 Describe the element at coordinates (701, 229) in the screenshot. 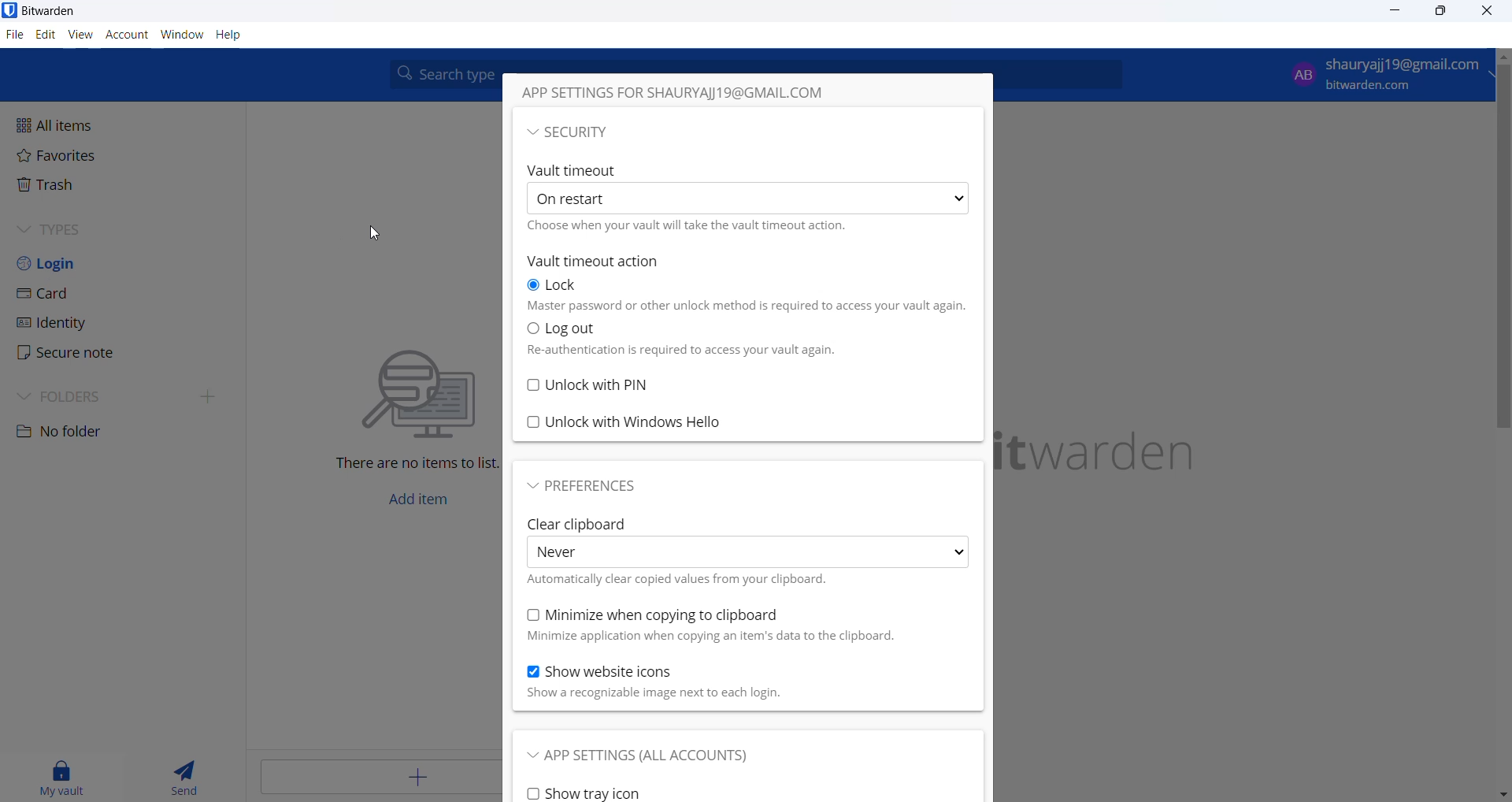

I see `Choose what your vault will take the vault timeout action` at that location.